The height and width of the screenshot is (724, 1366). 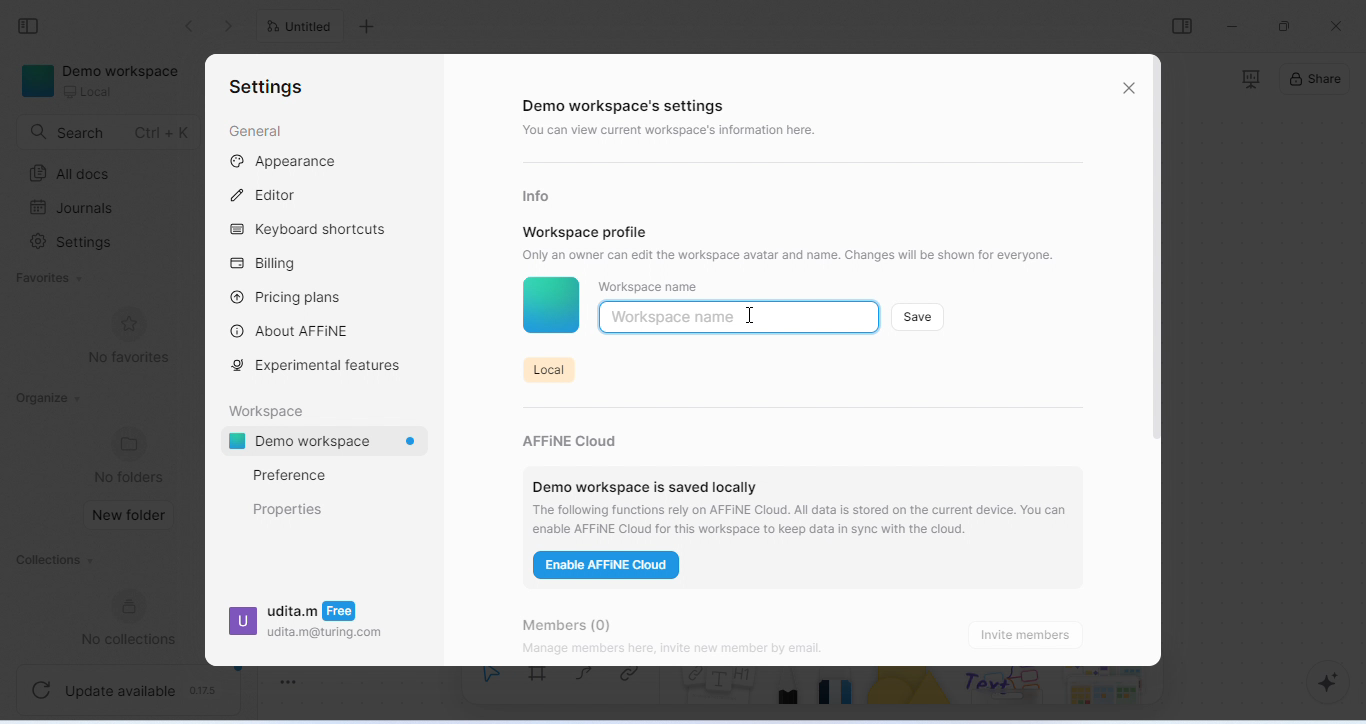 What do you see at coordinates (190, 26) in the screenshot?
I see `go back` at bounding box center [190, 26].